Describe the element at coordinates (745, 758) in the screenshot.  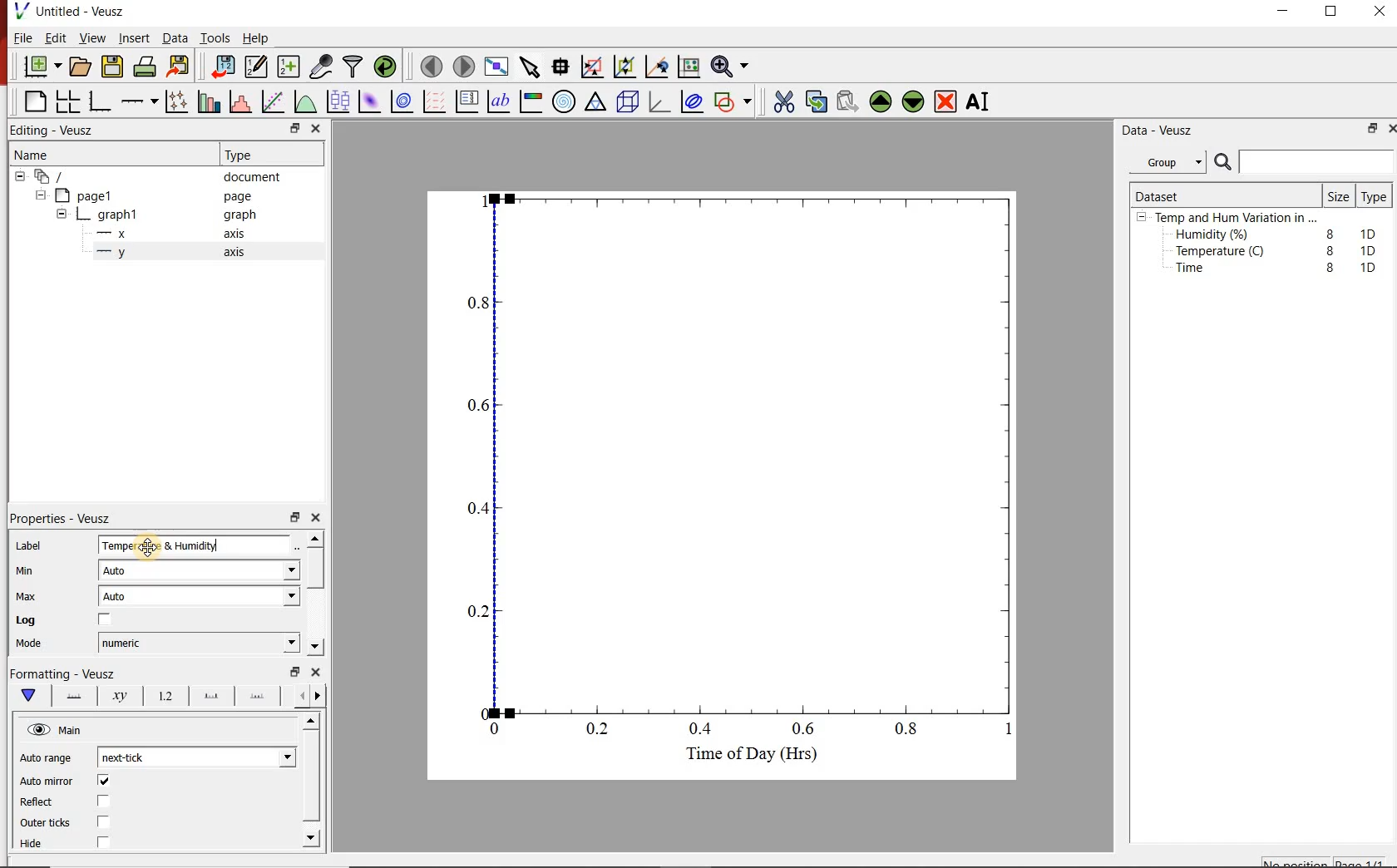
I see `Time of Day (Hrs)` at that location.